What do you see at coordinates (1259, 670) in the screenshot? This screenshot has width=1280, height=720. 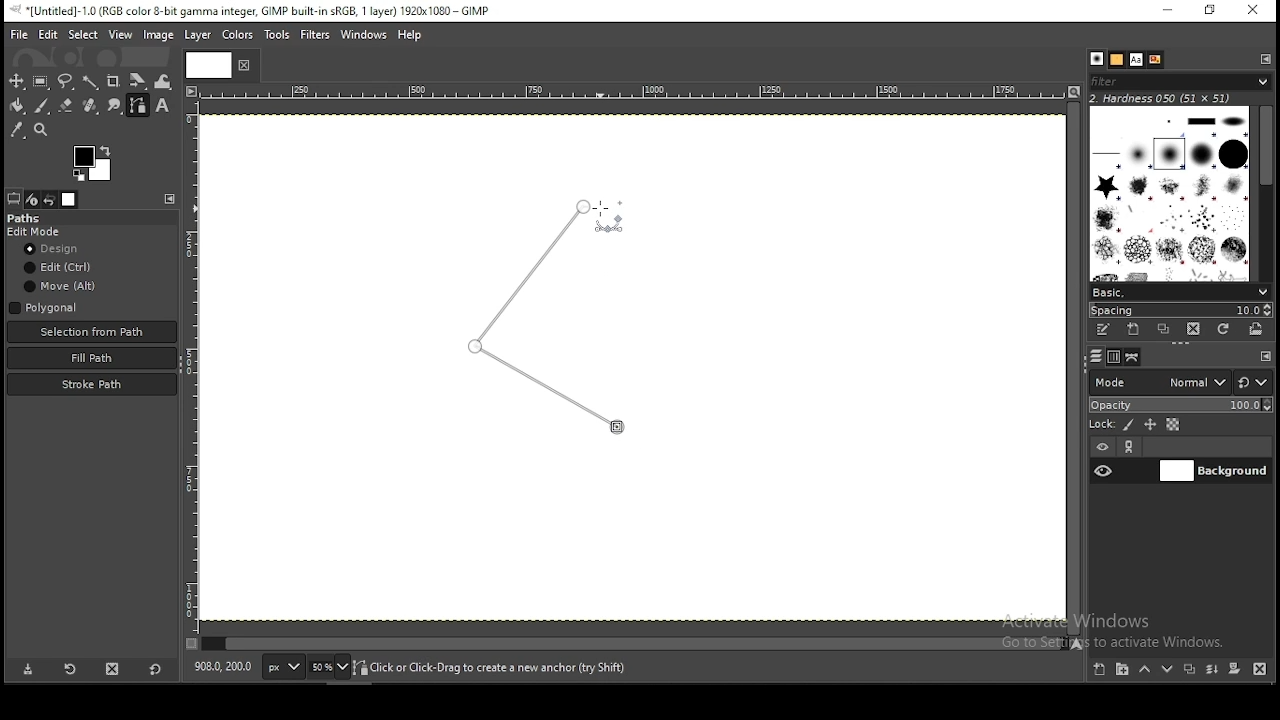 I see ` delete layer` at bounding box center [1259, 670].